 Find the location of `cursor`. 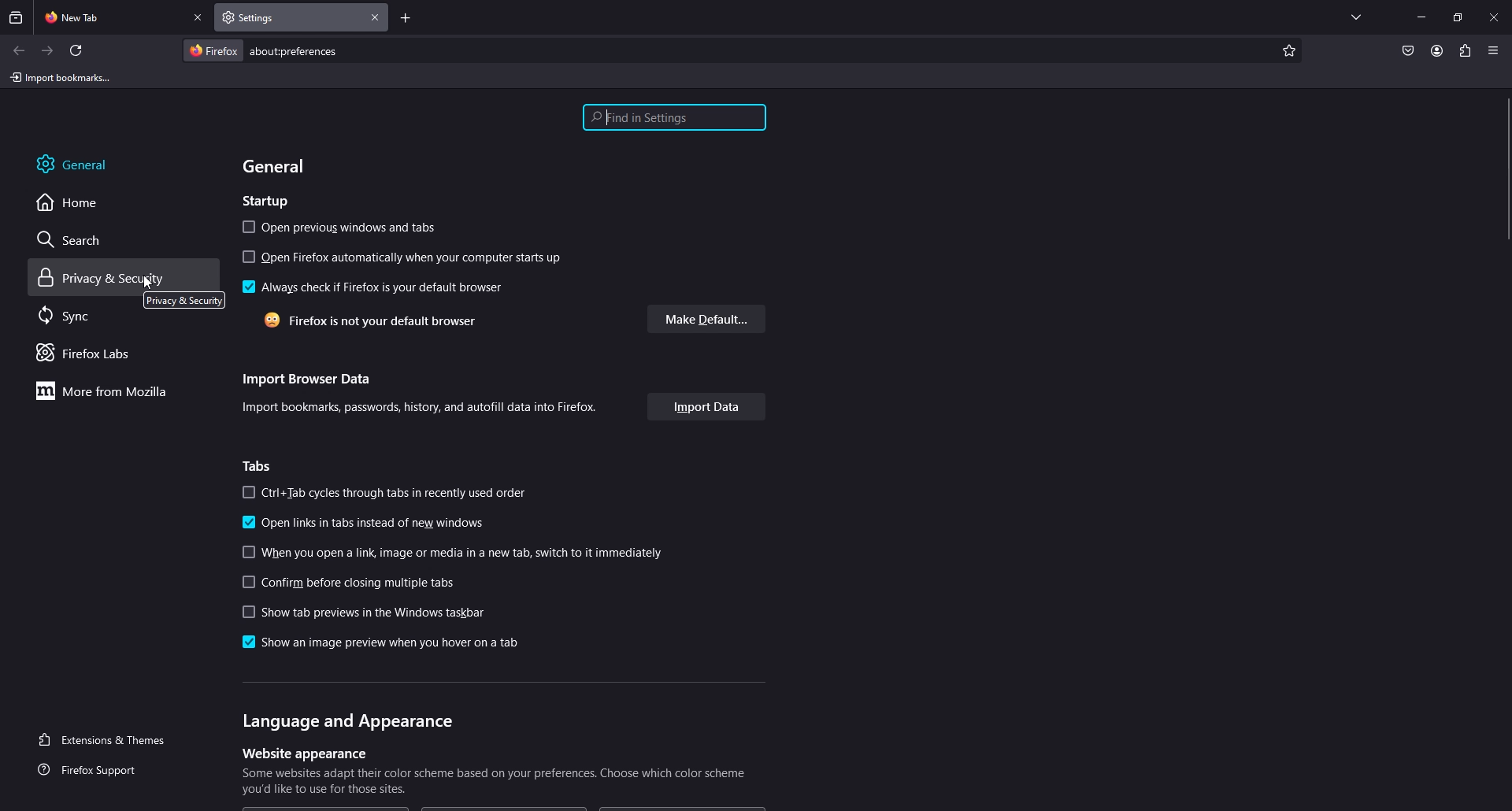

cursor is located at coordinates (147, 283).